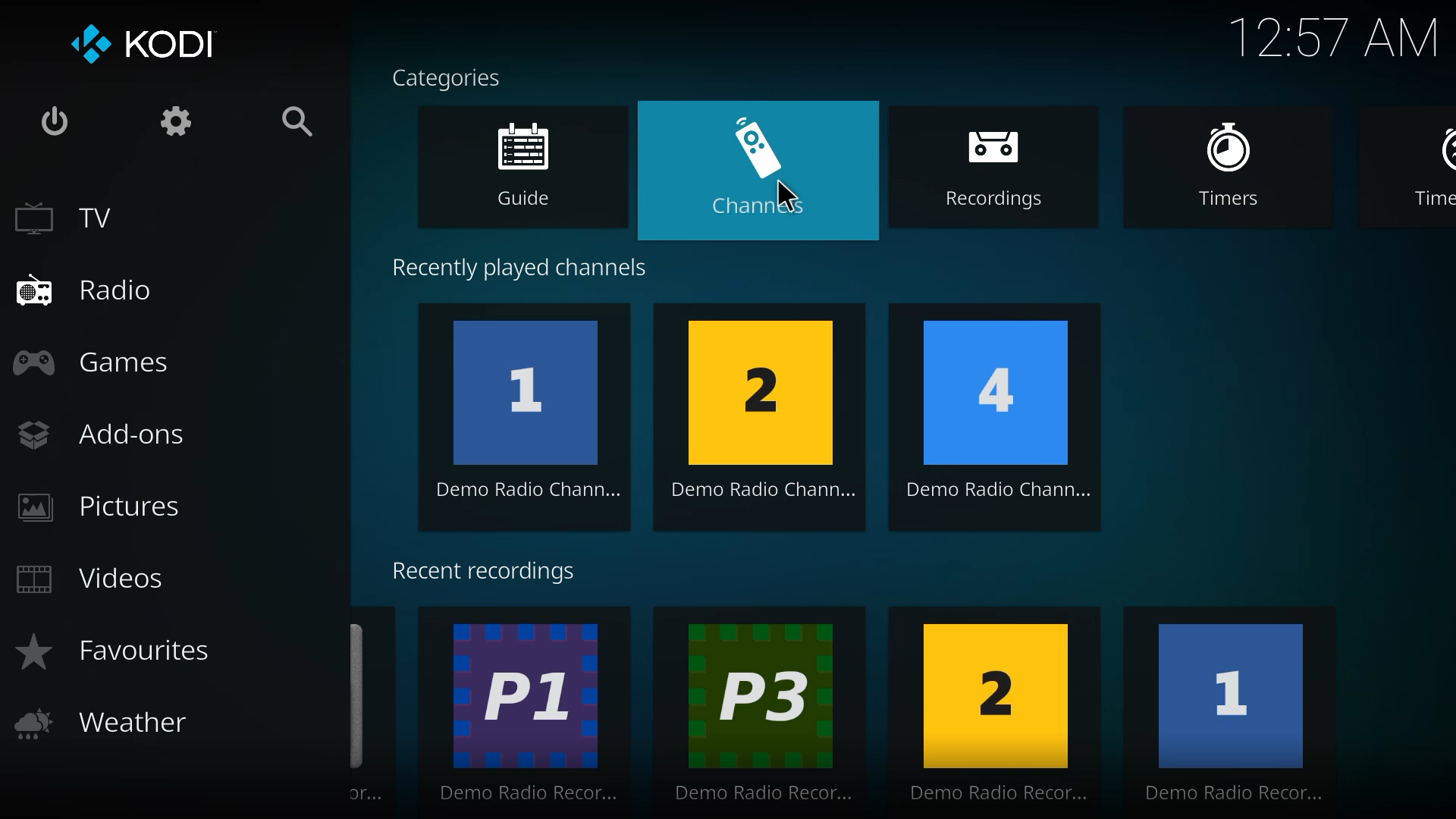 The image size is (1456, 819). What do you see at coordinates (1241, 168) in the screenshot?
I see `timers` at bounding box center [1241, 168].